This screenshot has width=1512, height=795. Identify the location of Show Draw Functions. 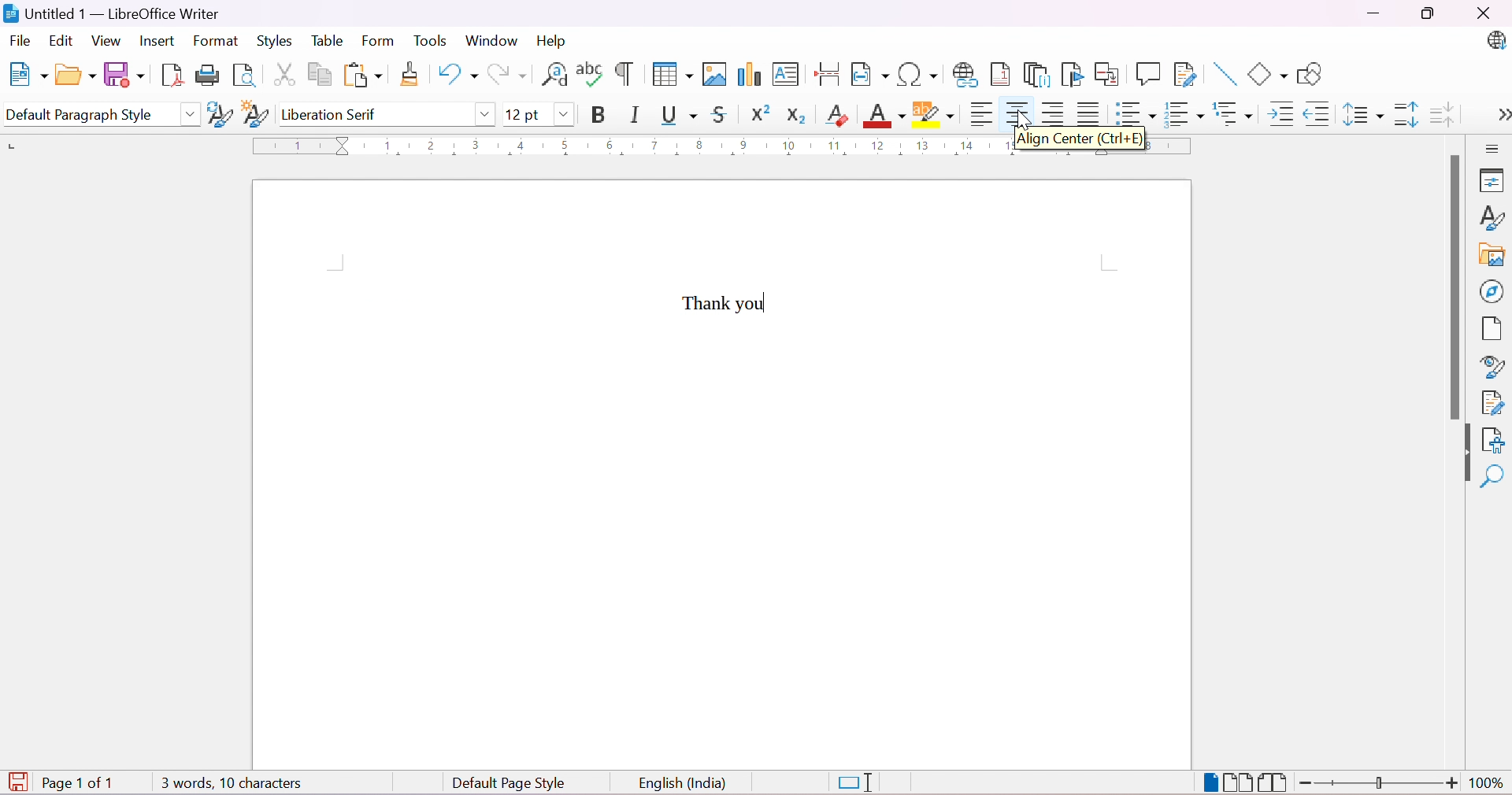
(1310, 74).